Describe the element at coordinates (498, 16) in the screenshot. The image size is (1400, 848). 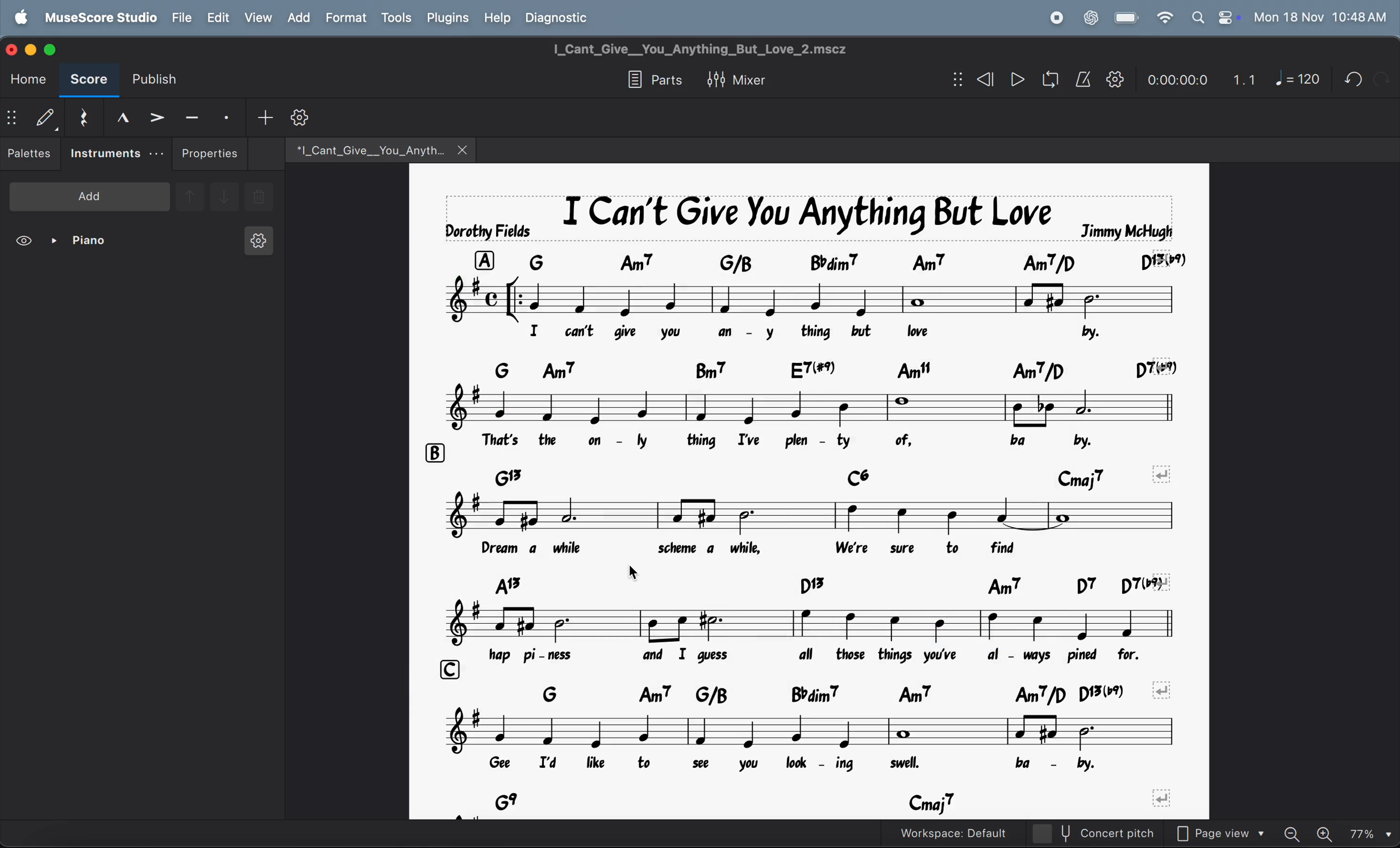
I see `help` at that location.